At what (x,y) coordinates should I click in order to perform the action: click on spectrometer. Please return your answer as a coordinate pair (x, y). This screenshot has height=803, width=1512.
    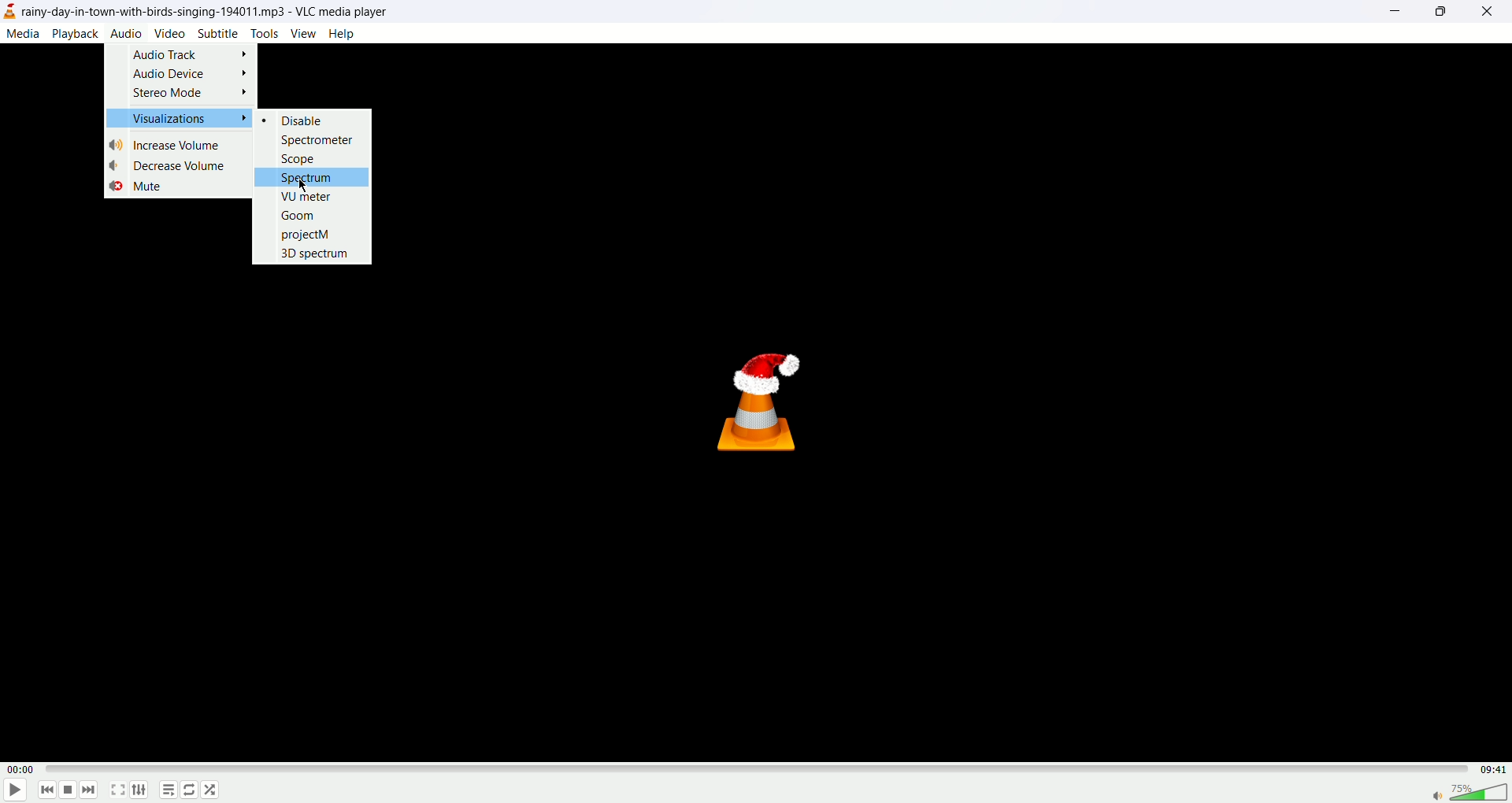
    Looking at the image, I should click on (321, 139).